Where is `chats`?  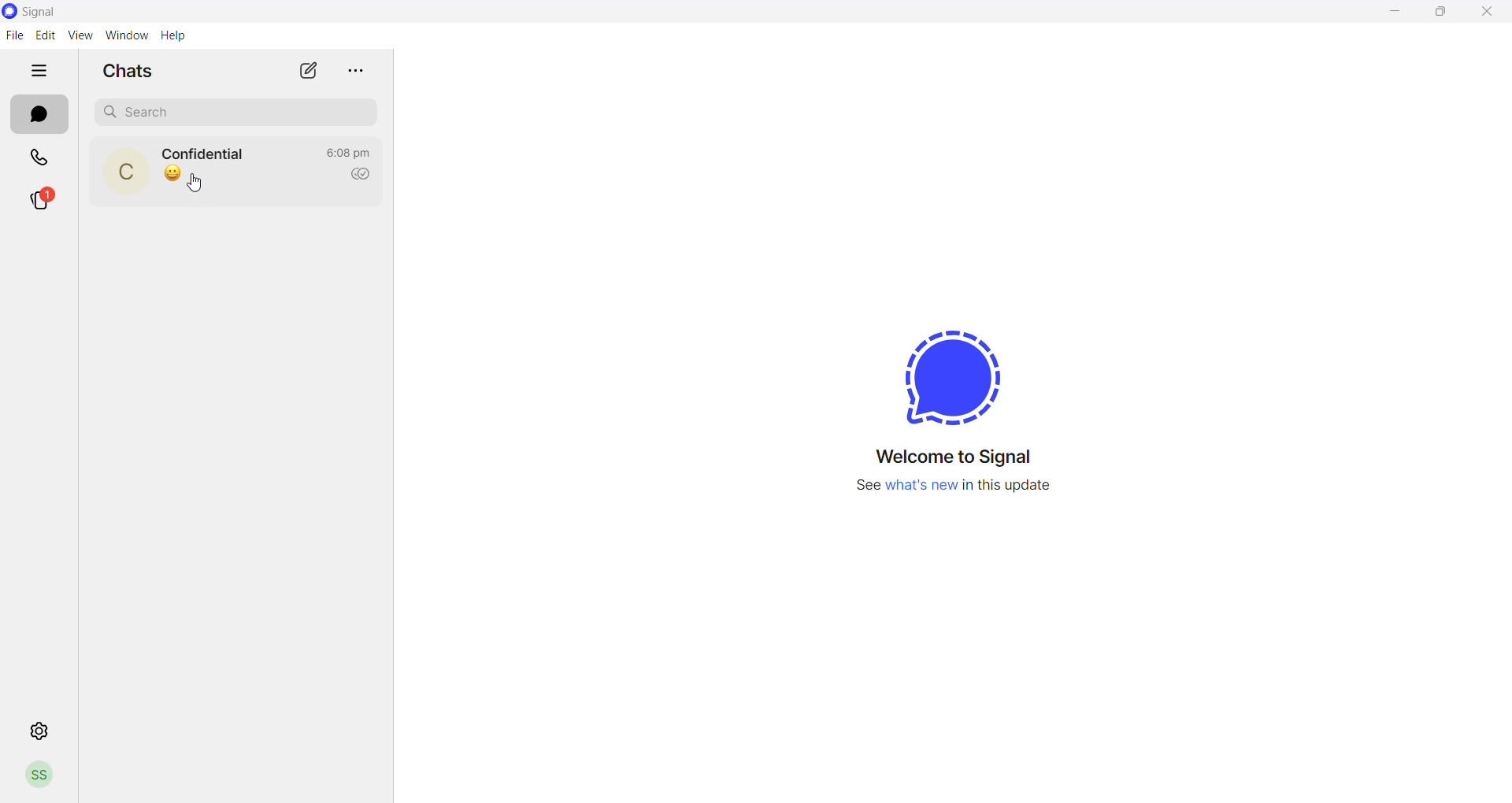
chats is located at coordinates (39, 117).